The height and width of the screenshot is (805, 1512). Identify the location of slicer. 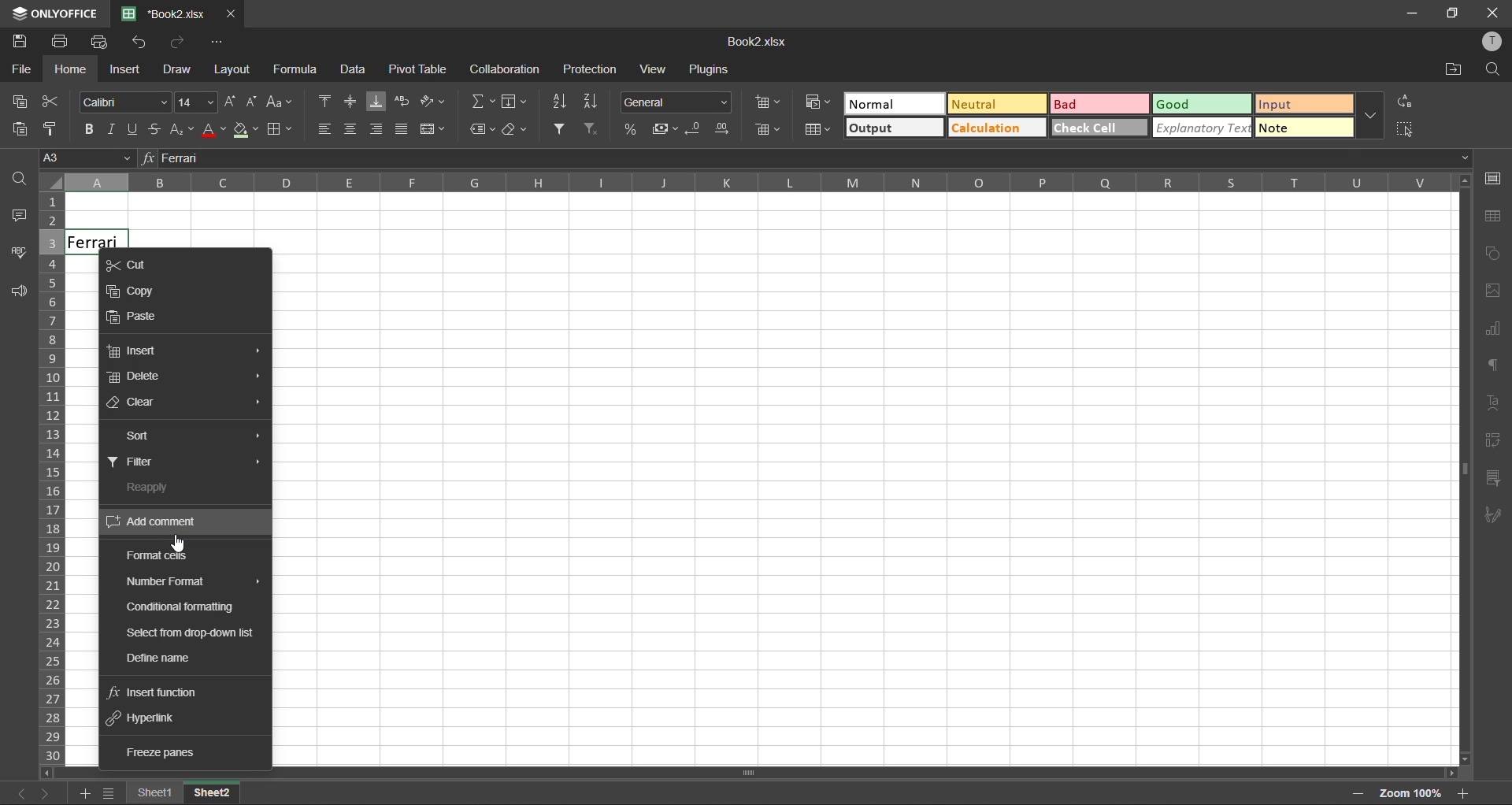
(1498, 480).